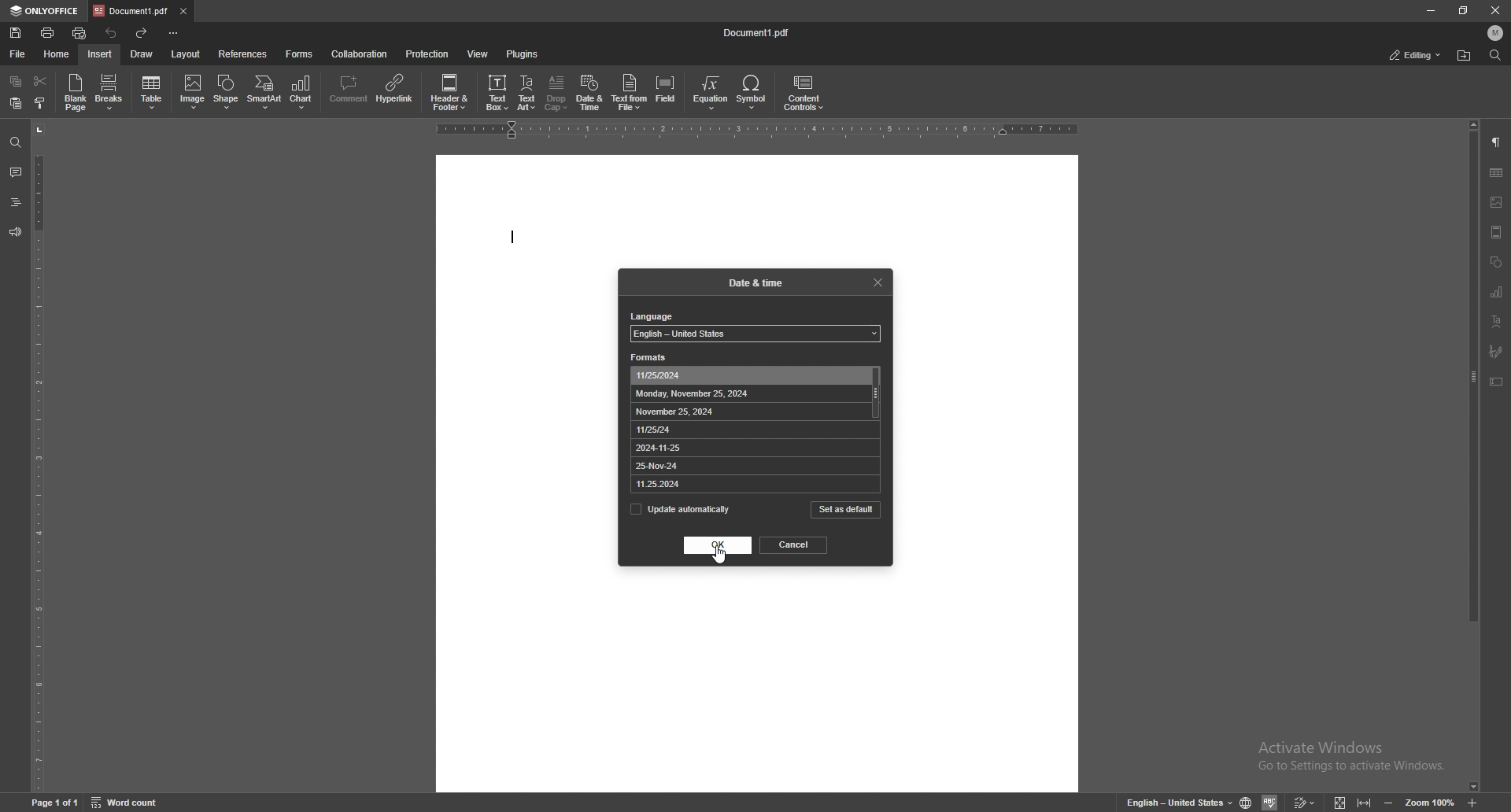 The width and height of the screenshot is (1511, 812). I want to click on scroll bar, so click(876, 393).